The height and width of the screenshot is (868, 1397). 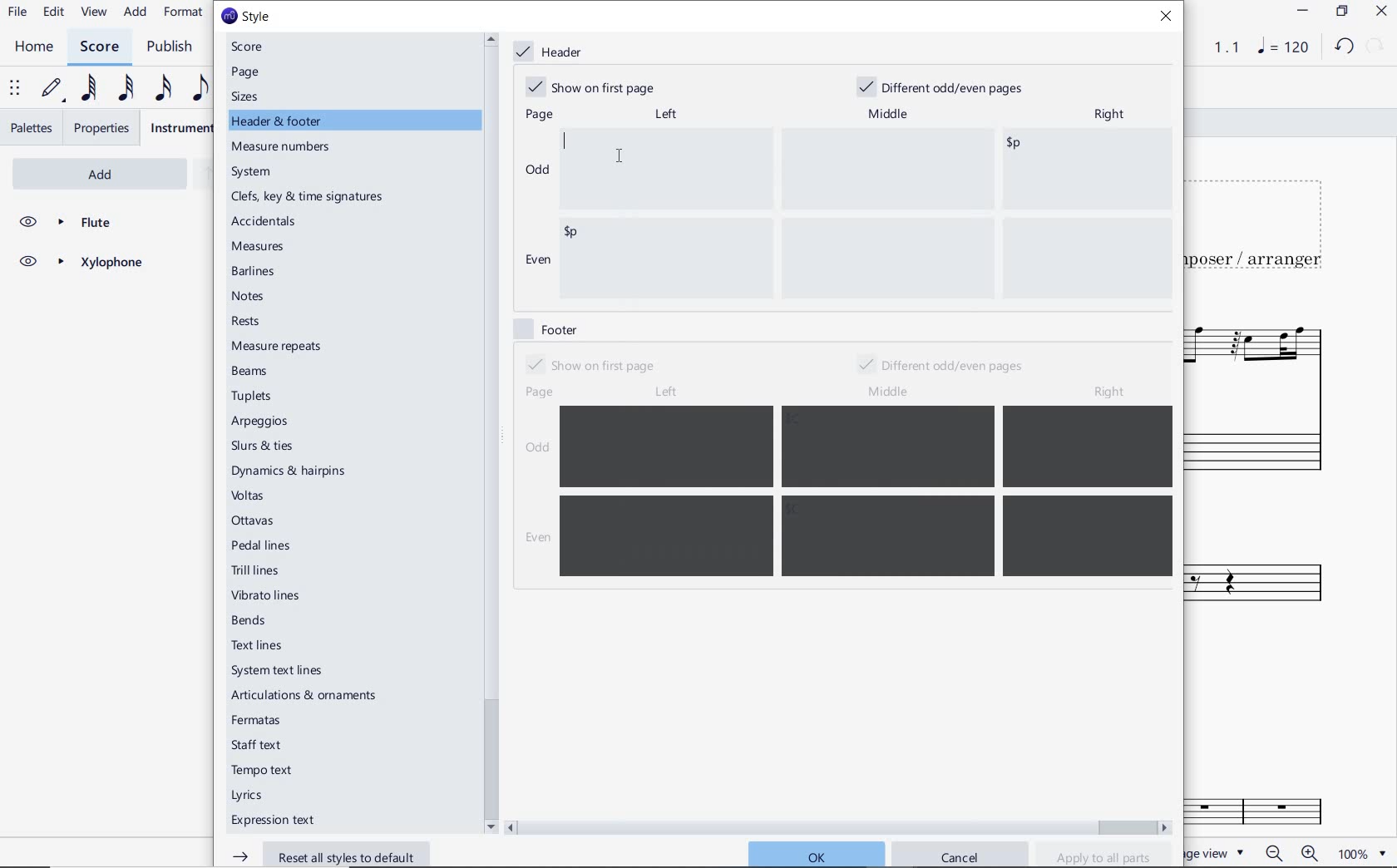 I want to click on VIEW, so click(x=95, y=12).